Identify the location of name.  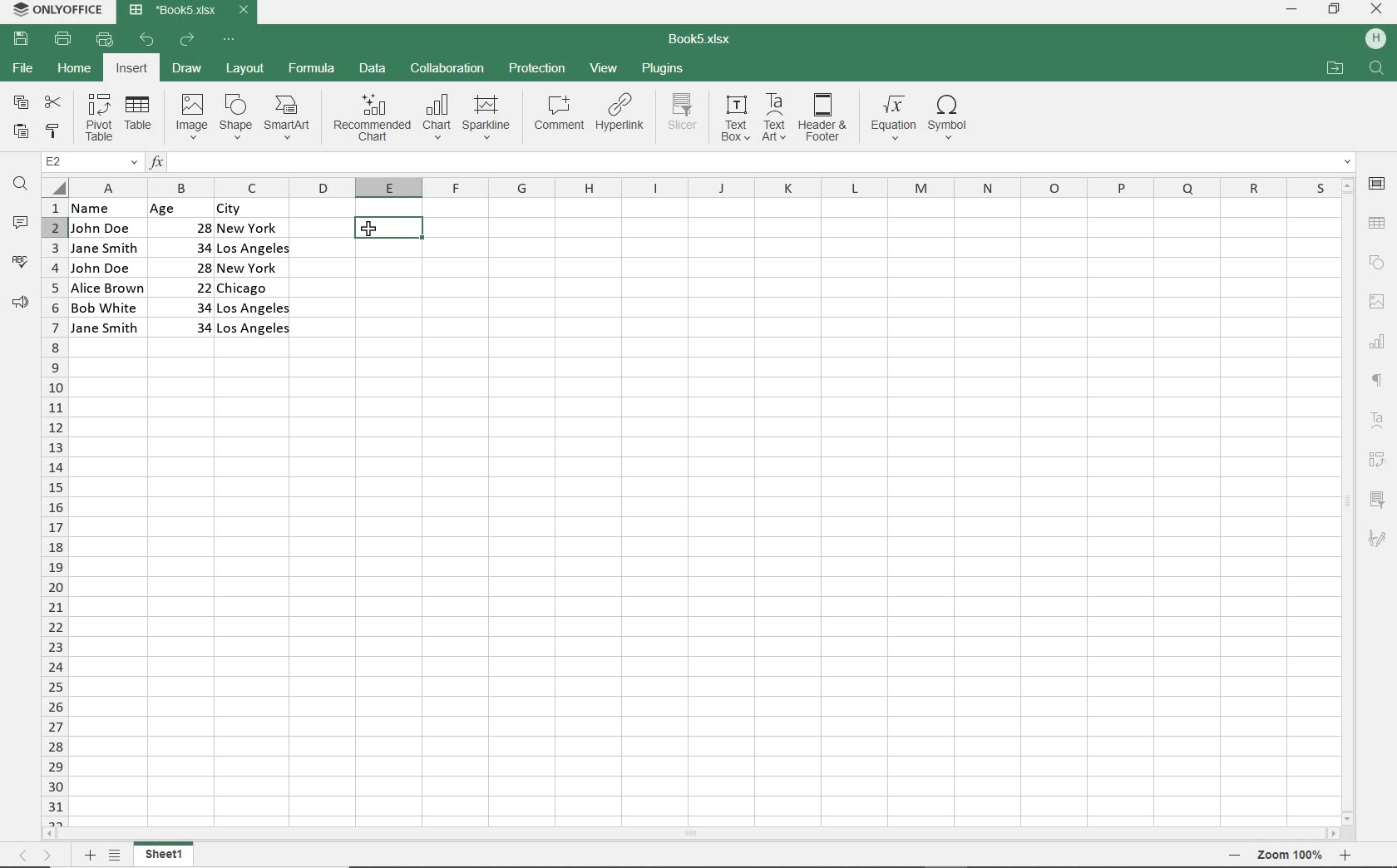
(100, 209).